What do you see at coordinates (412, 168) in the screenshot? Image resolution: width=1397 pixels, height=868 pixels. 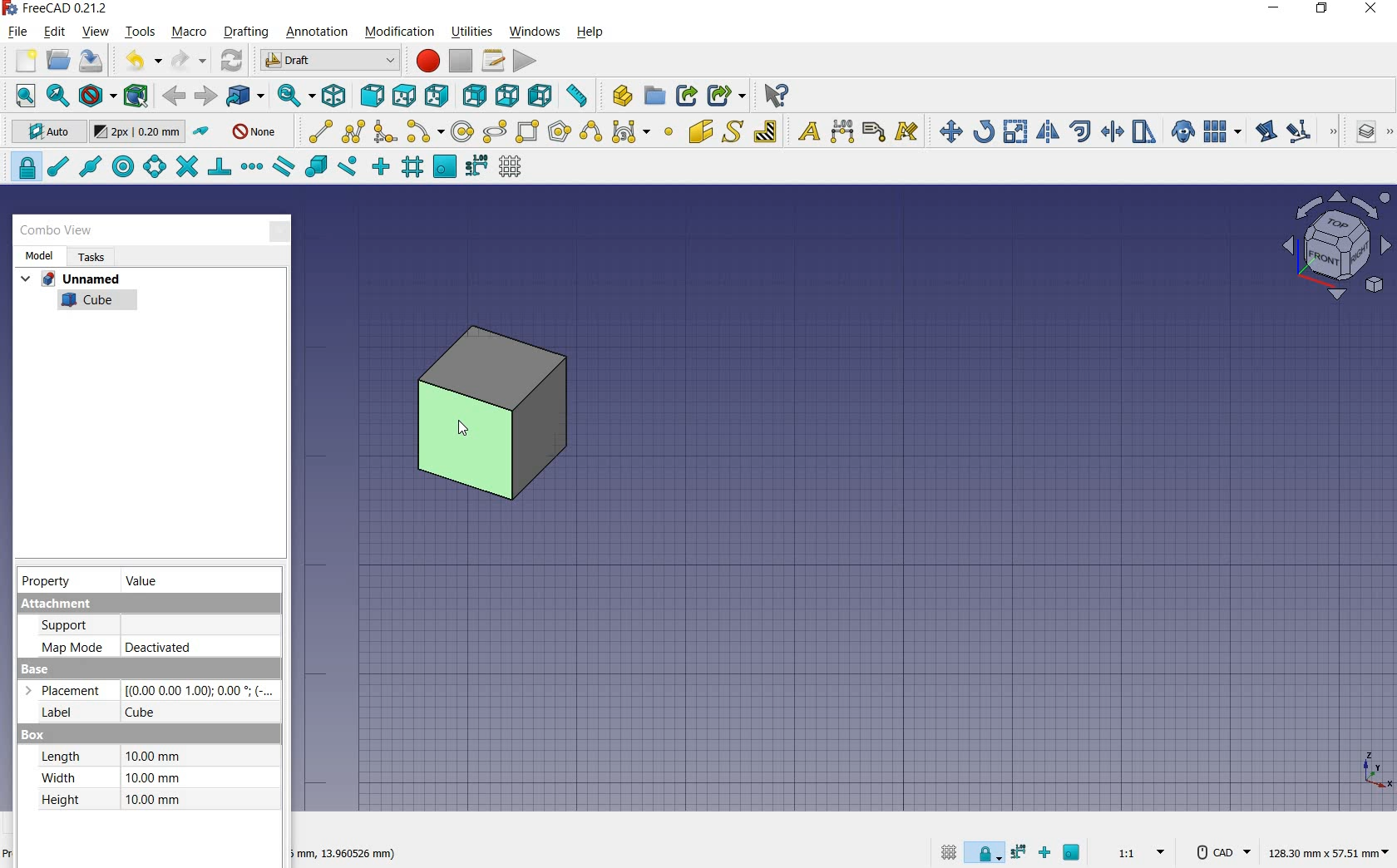 I see `snap grid` at bounding box center [412, 168].